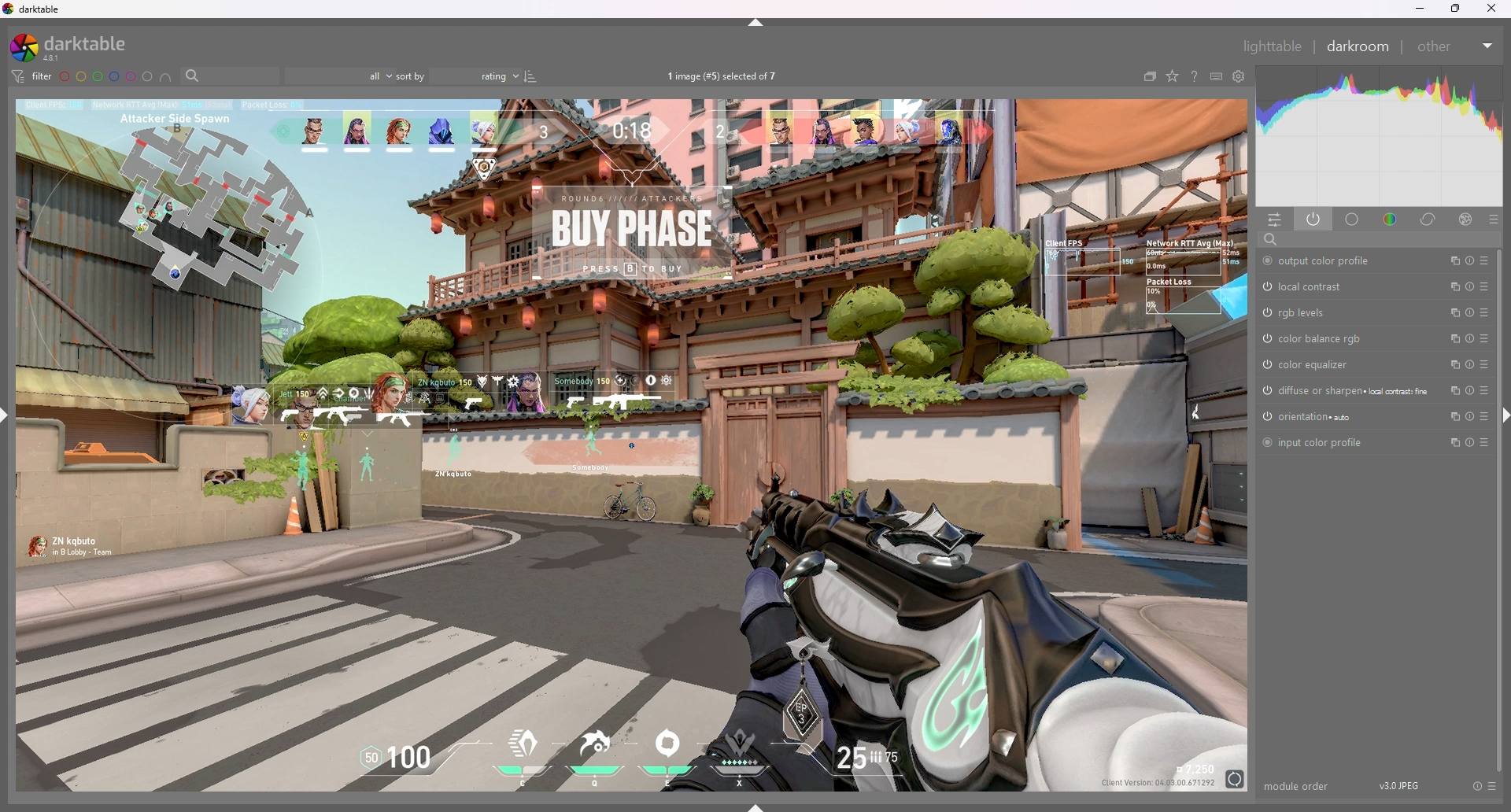 The height and width of the screenshot is (812, 1511). I want to click on keyboard shortcuts, so click(1217, 76).